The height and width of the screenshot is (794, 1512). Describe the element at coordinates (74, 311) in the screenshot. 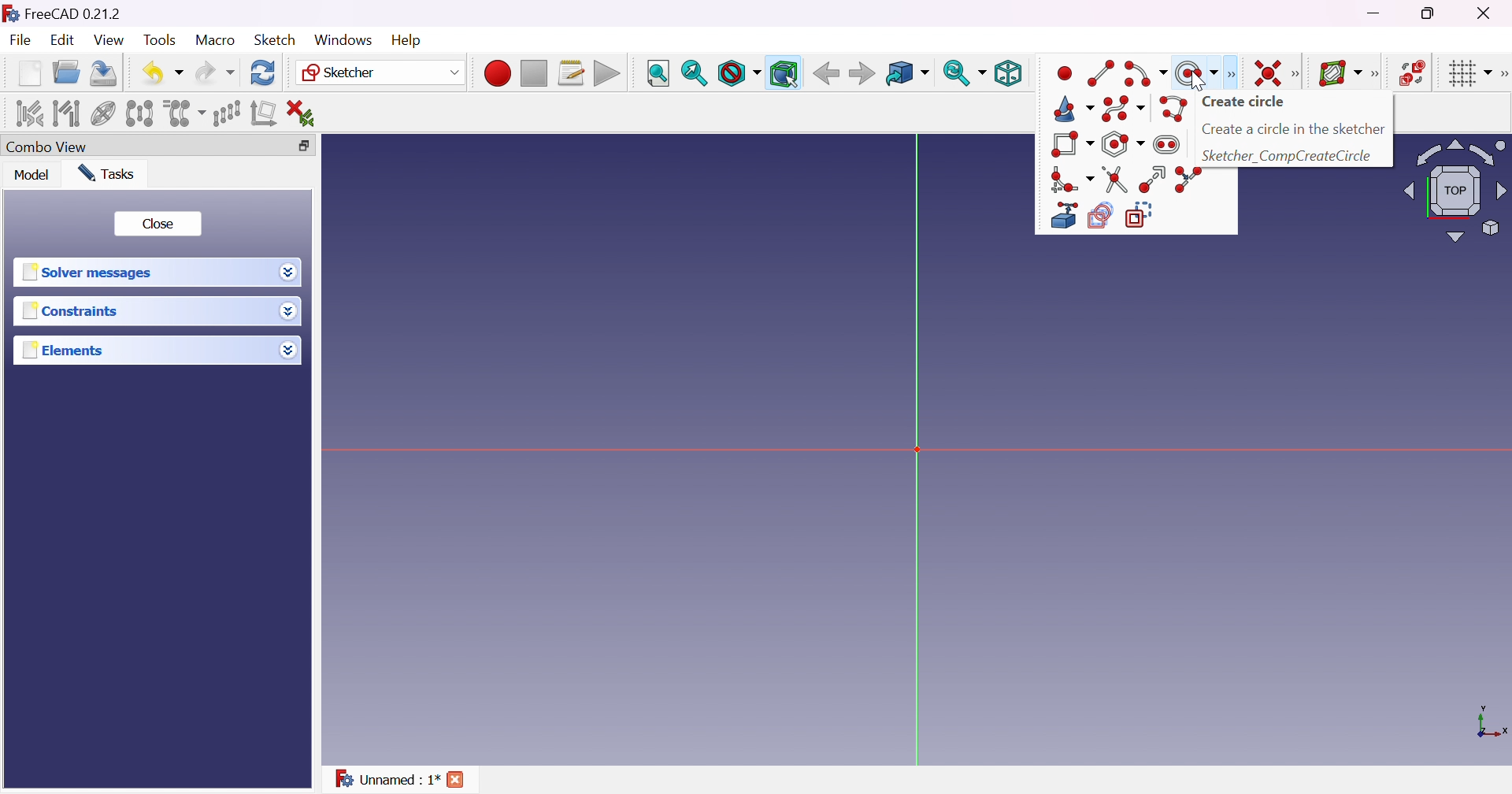

I see `Constraints` at that location.